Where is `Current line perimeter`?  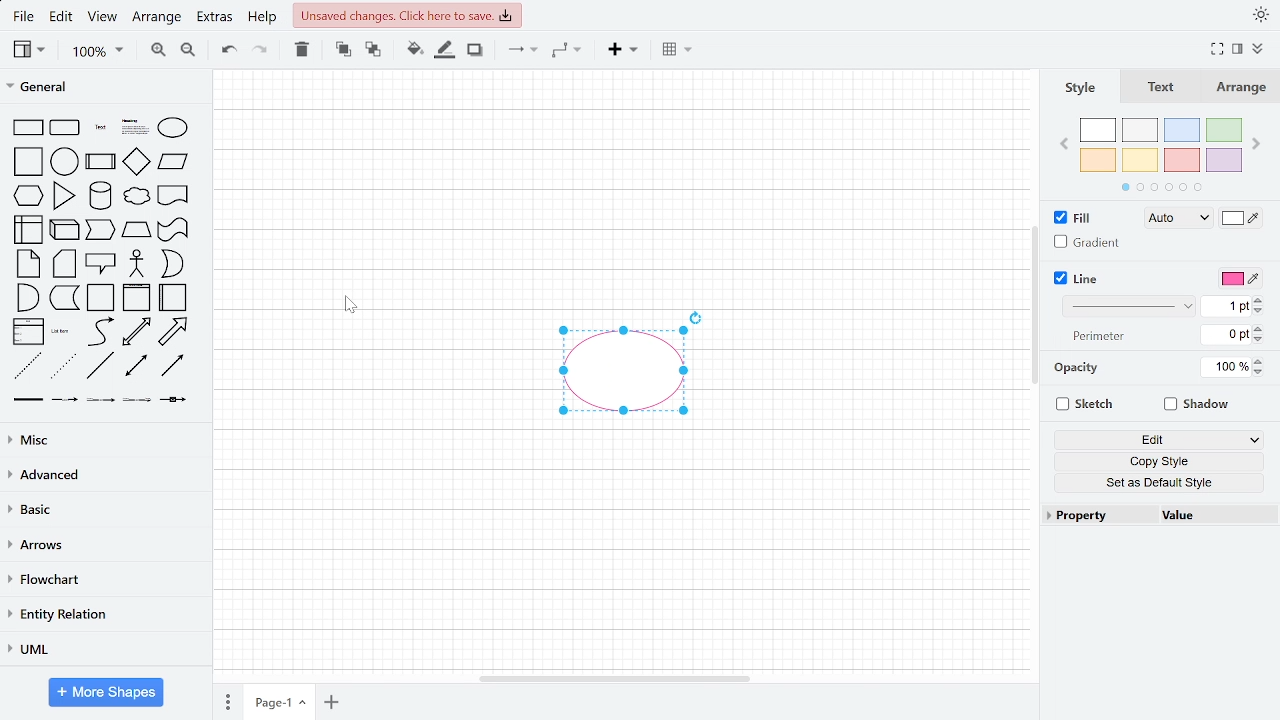 Current line perimeter is located at coordinates (1222, 334).